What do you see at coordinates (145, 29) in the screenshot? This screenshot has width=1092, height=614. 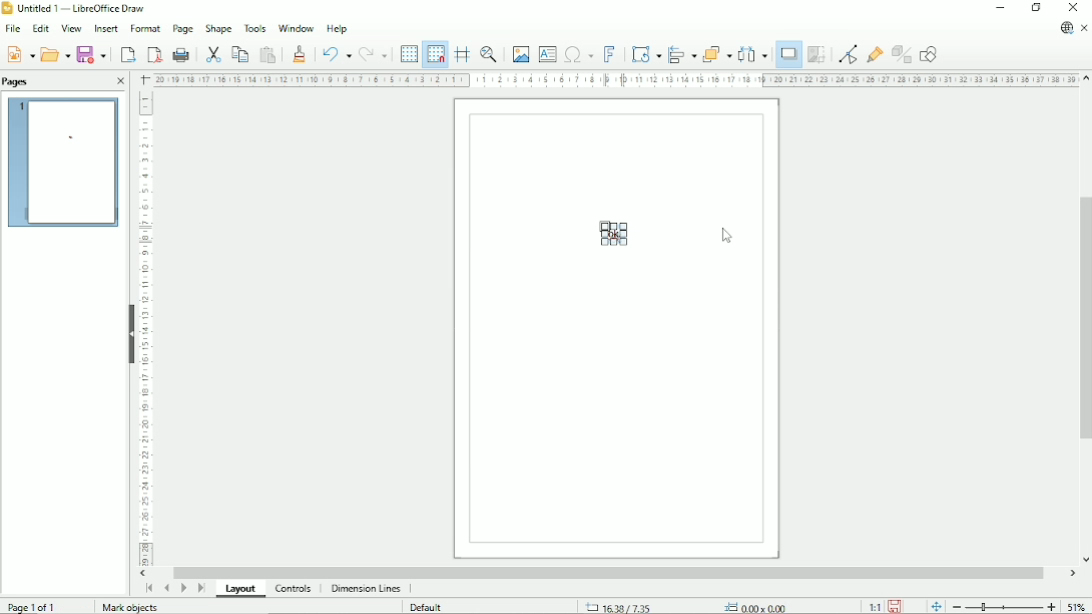 I see `Format` at bounding box center [145, 29].